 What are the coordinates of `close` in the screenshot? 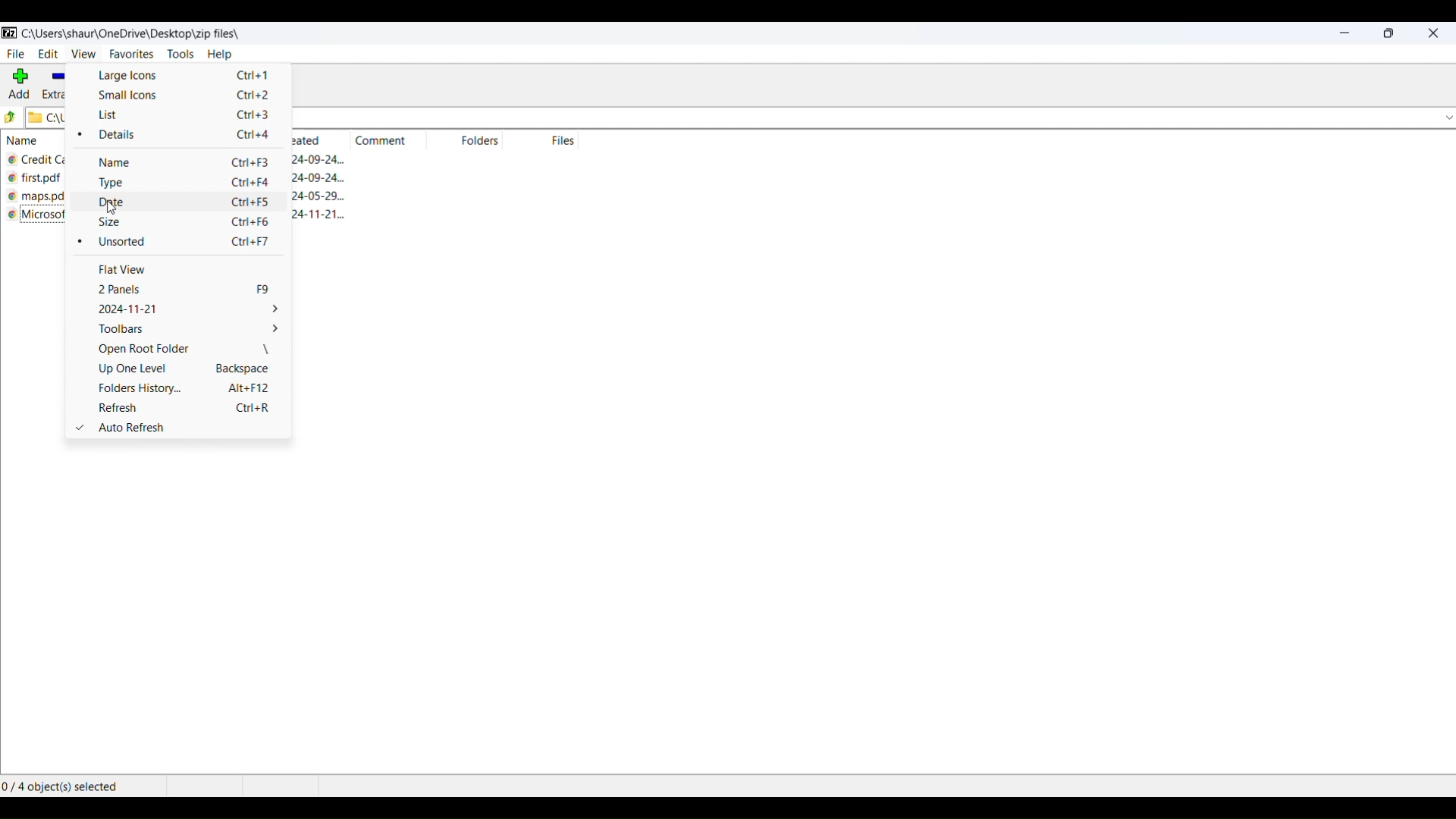 It's located at (1432, 33).